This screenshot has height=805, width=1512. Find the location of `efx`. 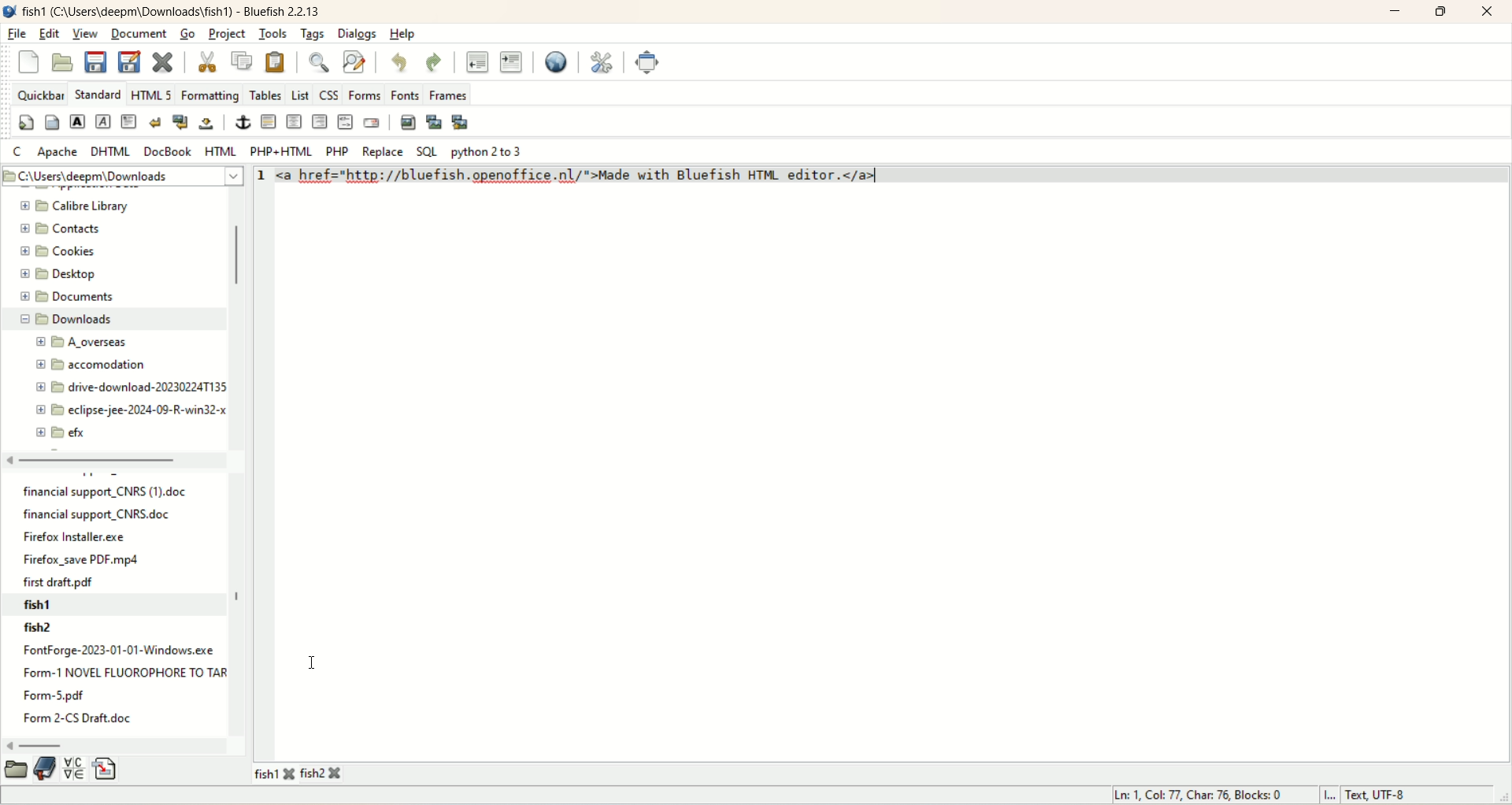

efx is located at coordinates (62, 433).